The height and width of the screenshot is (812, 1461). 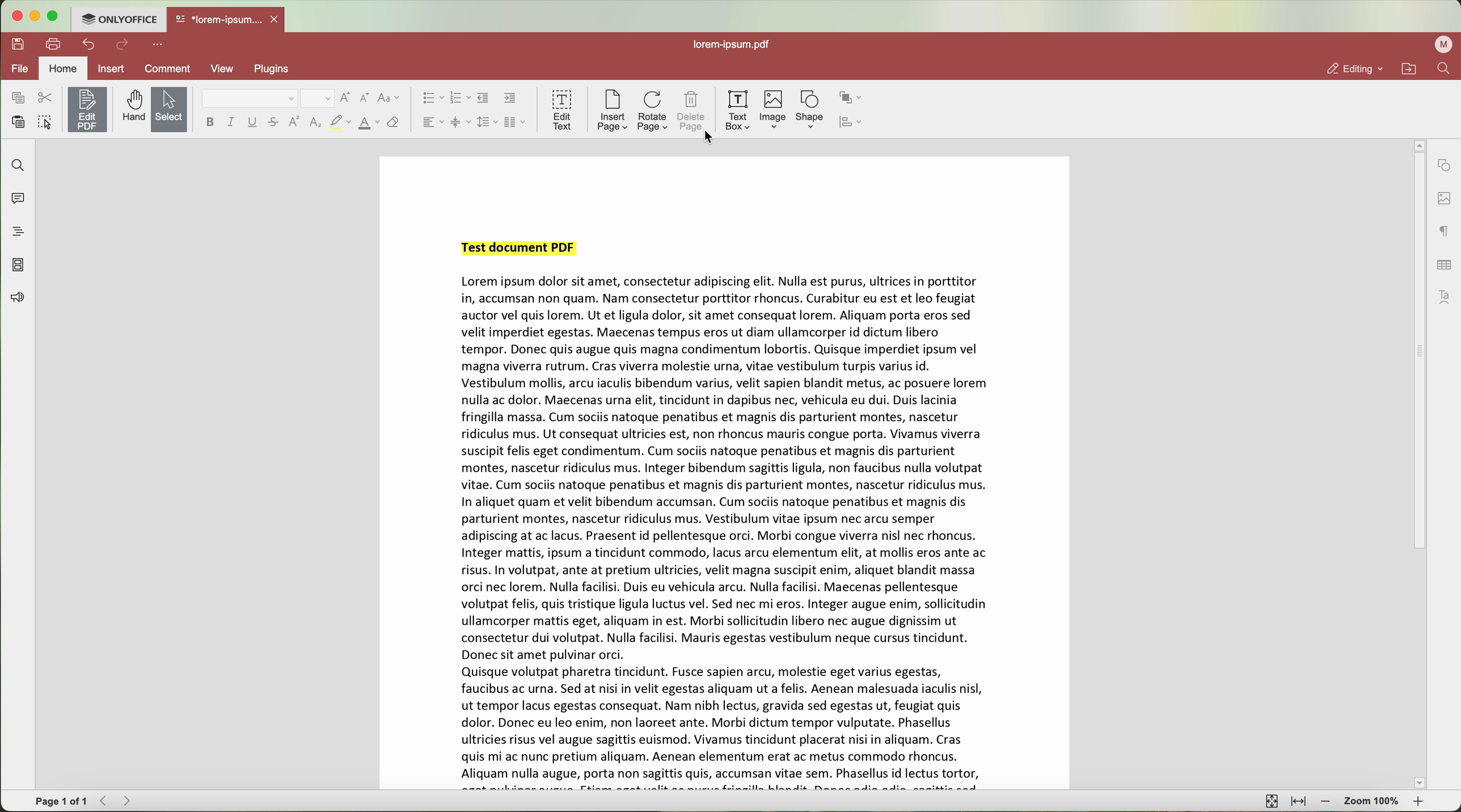 I want to click on align shape, so click(x=852, y=124).